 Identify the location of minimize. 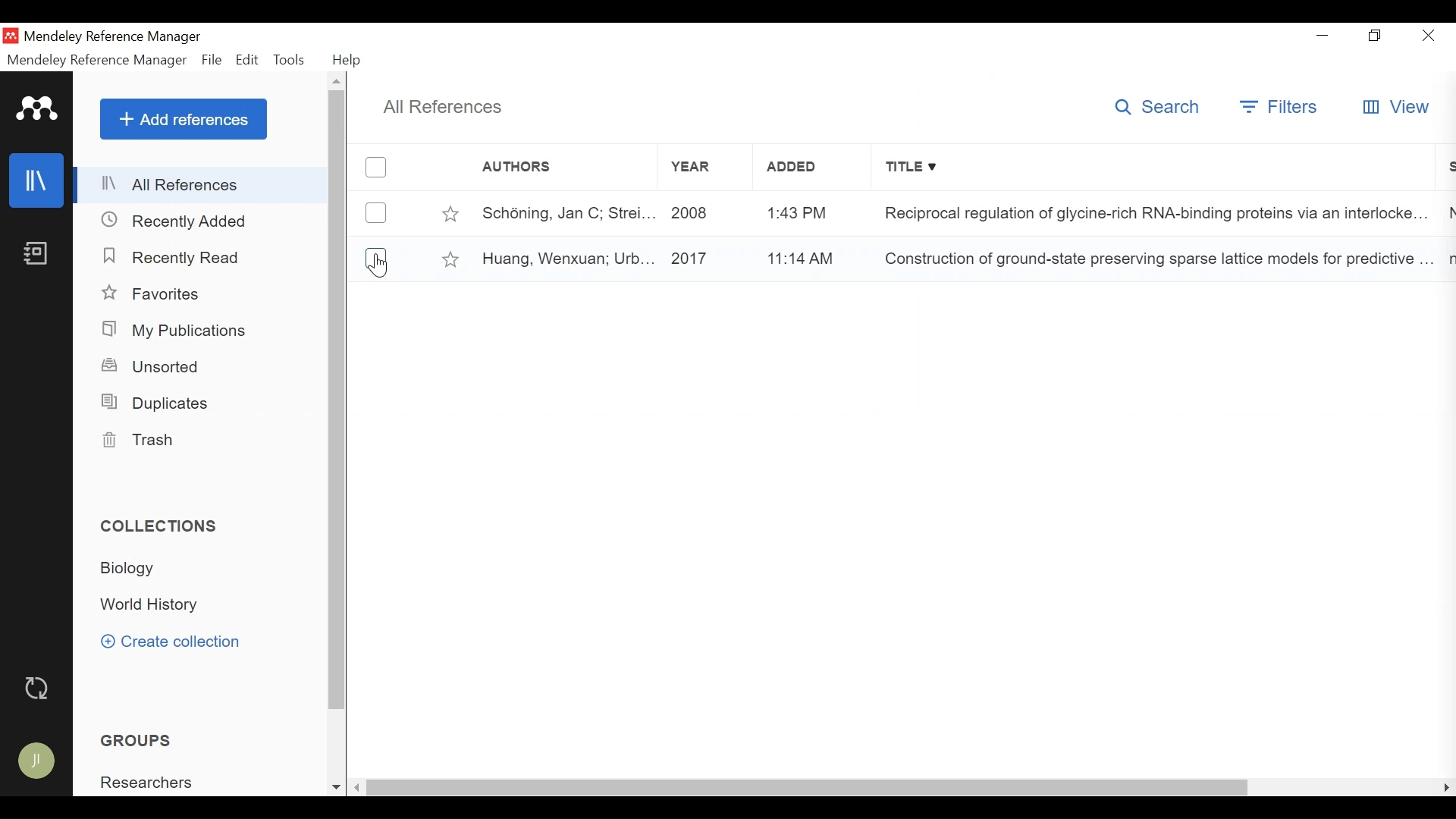
(1325, 36).